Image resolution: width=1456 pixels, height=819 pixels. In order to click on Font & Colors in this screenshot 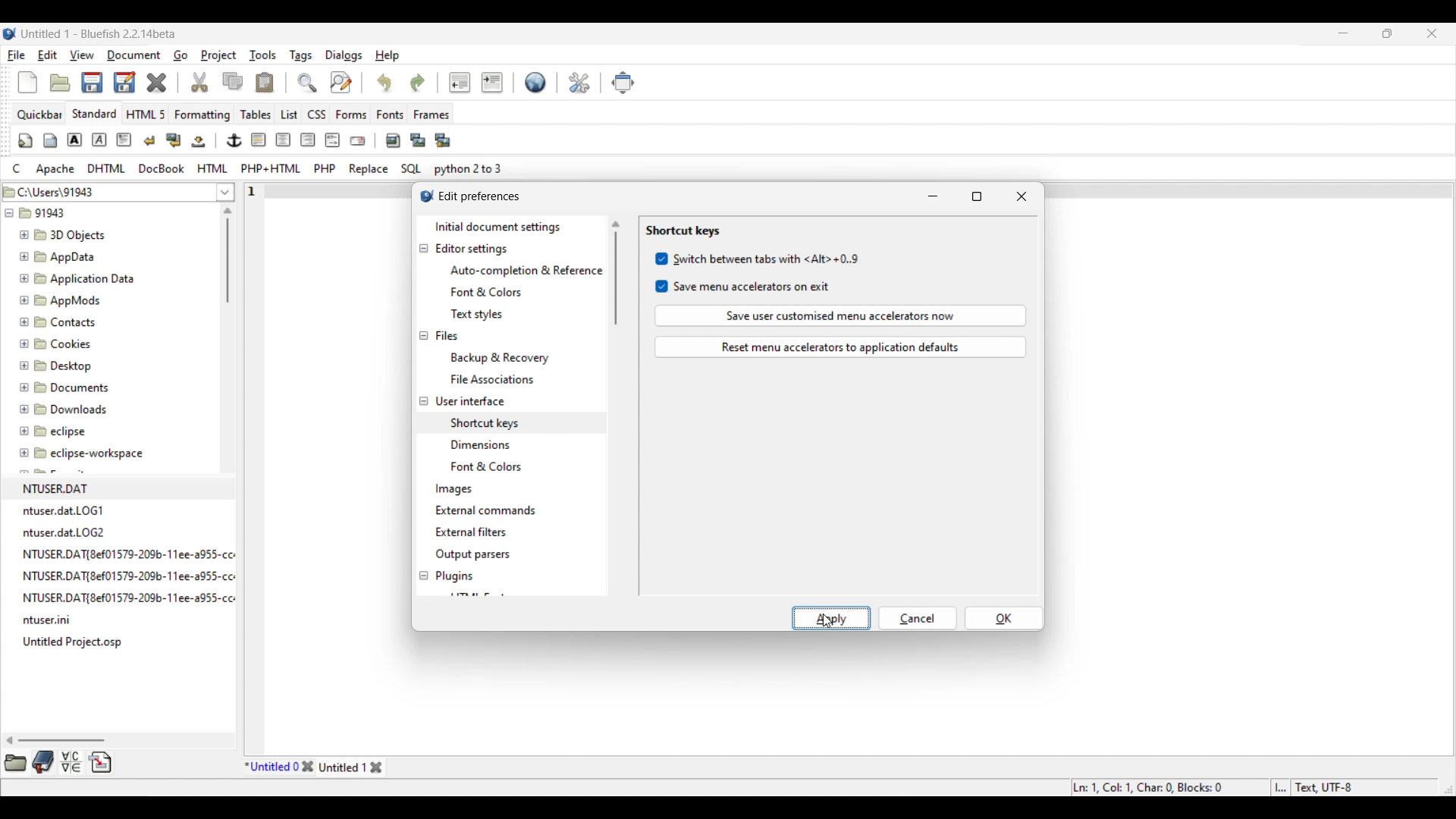, I will do `click(487, 293)`.